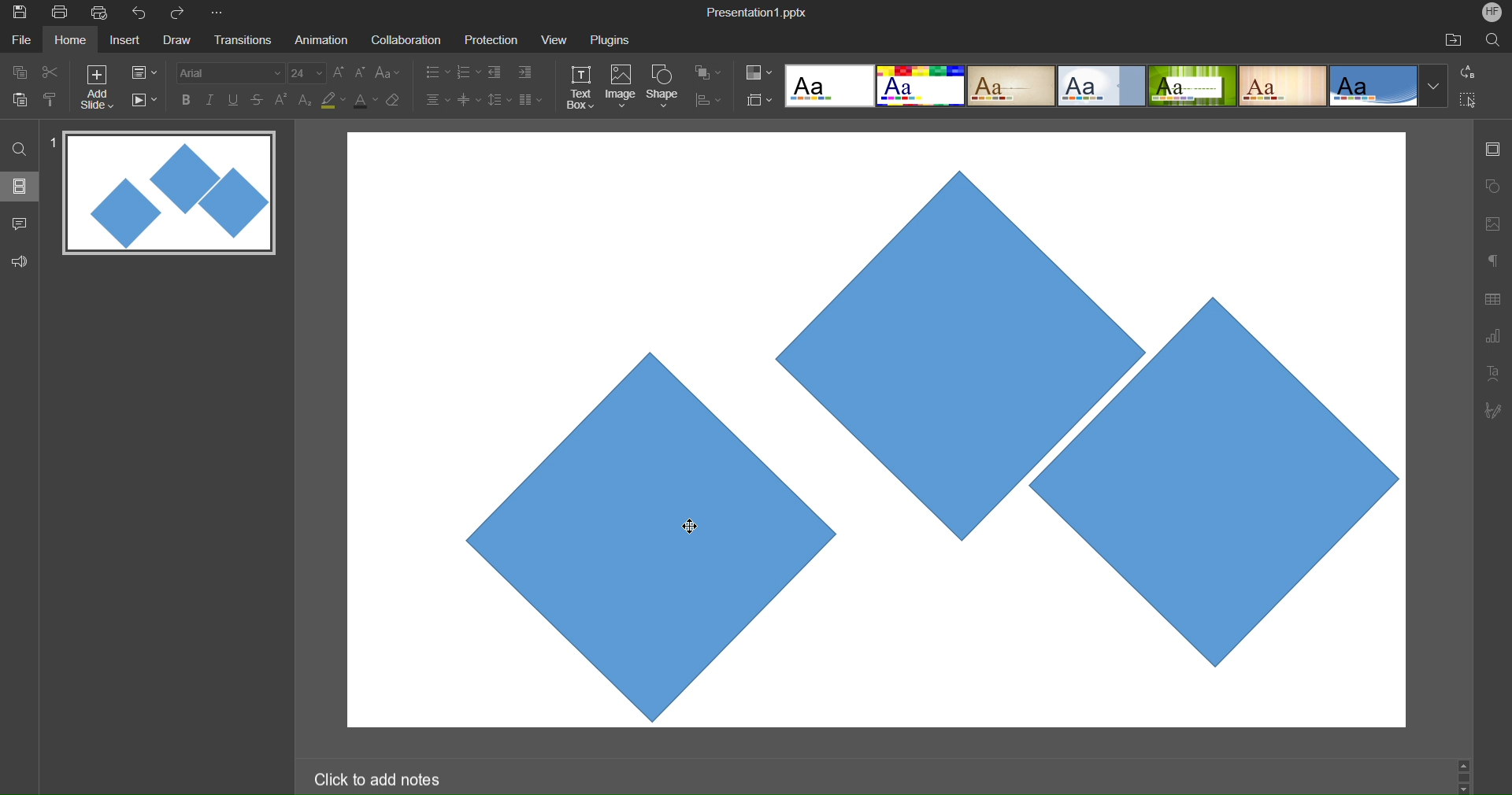 This screenshot has width=1512, height=795. Describe the element at coordinates (1463, 775) in the screenshot. I see `scrollbar` at that location.